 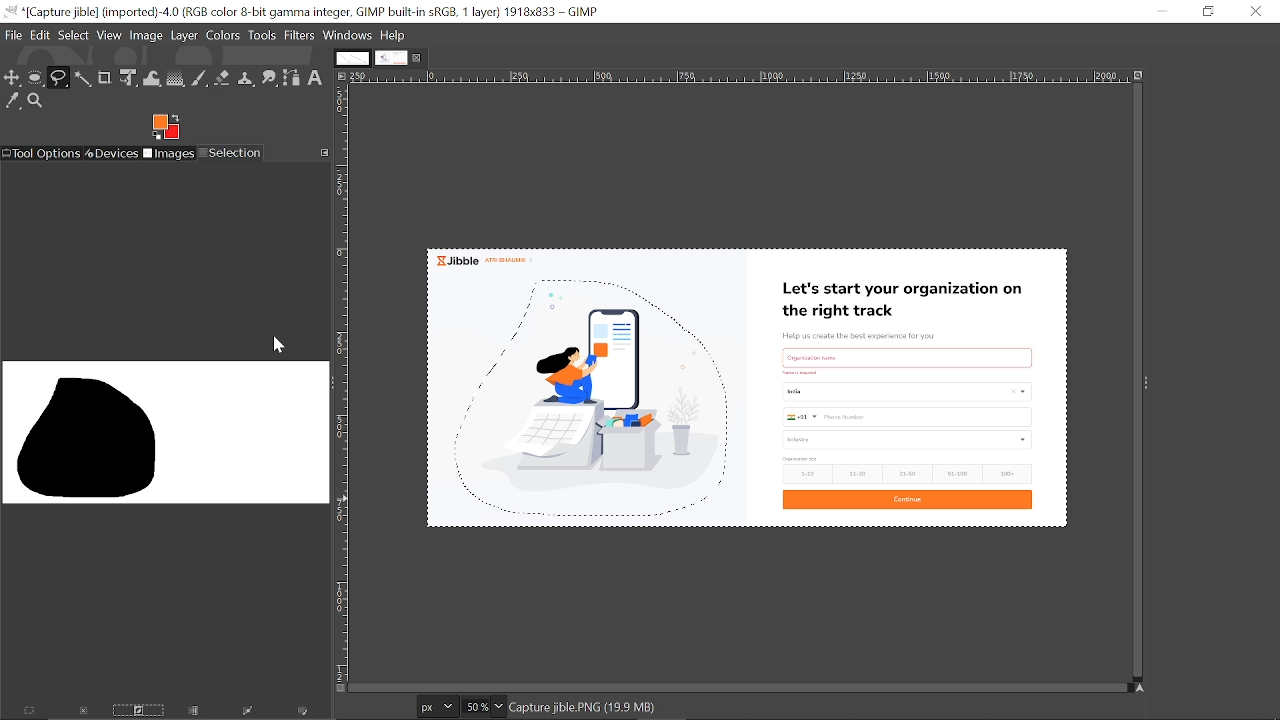 I want to click on Edit, so click(x=41, y=35).